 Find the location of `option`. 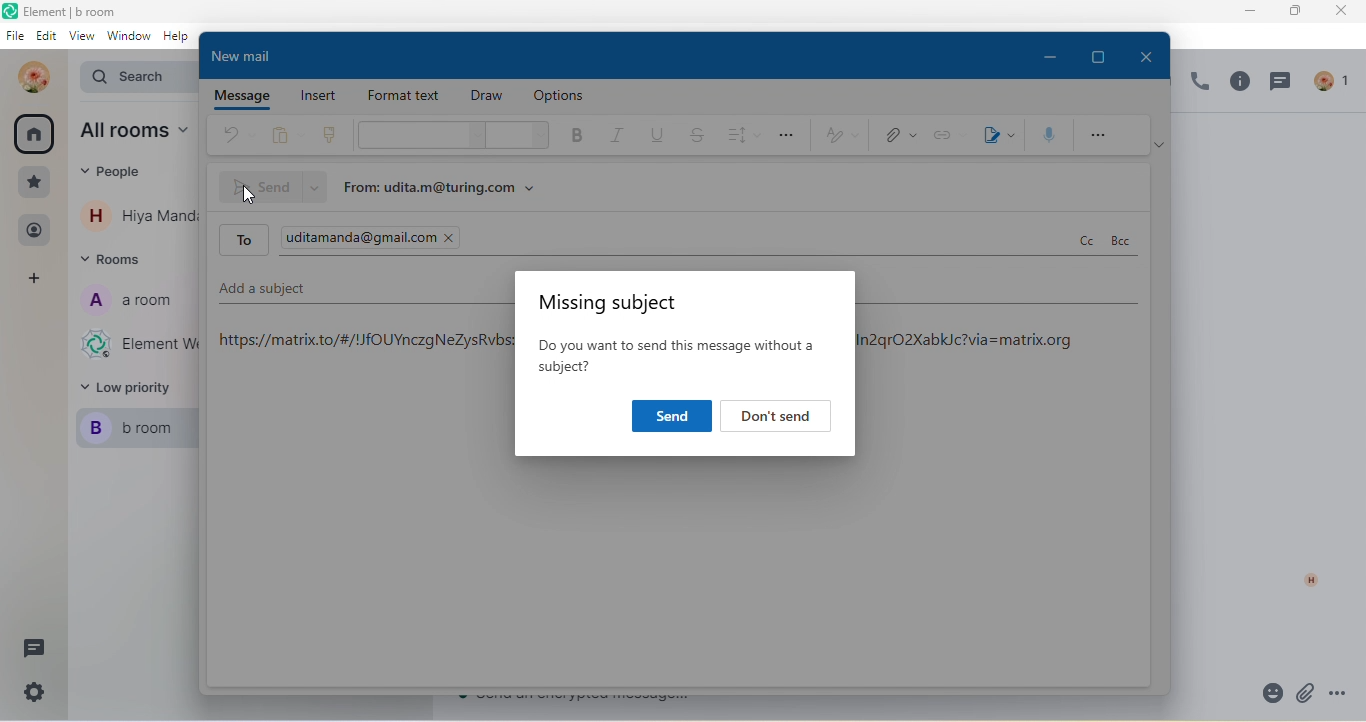

option is located at coordinates (1344, 693).